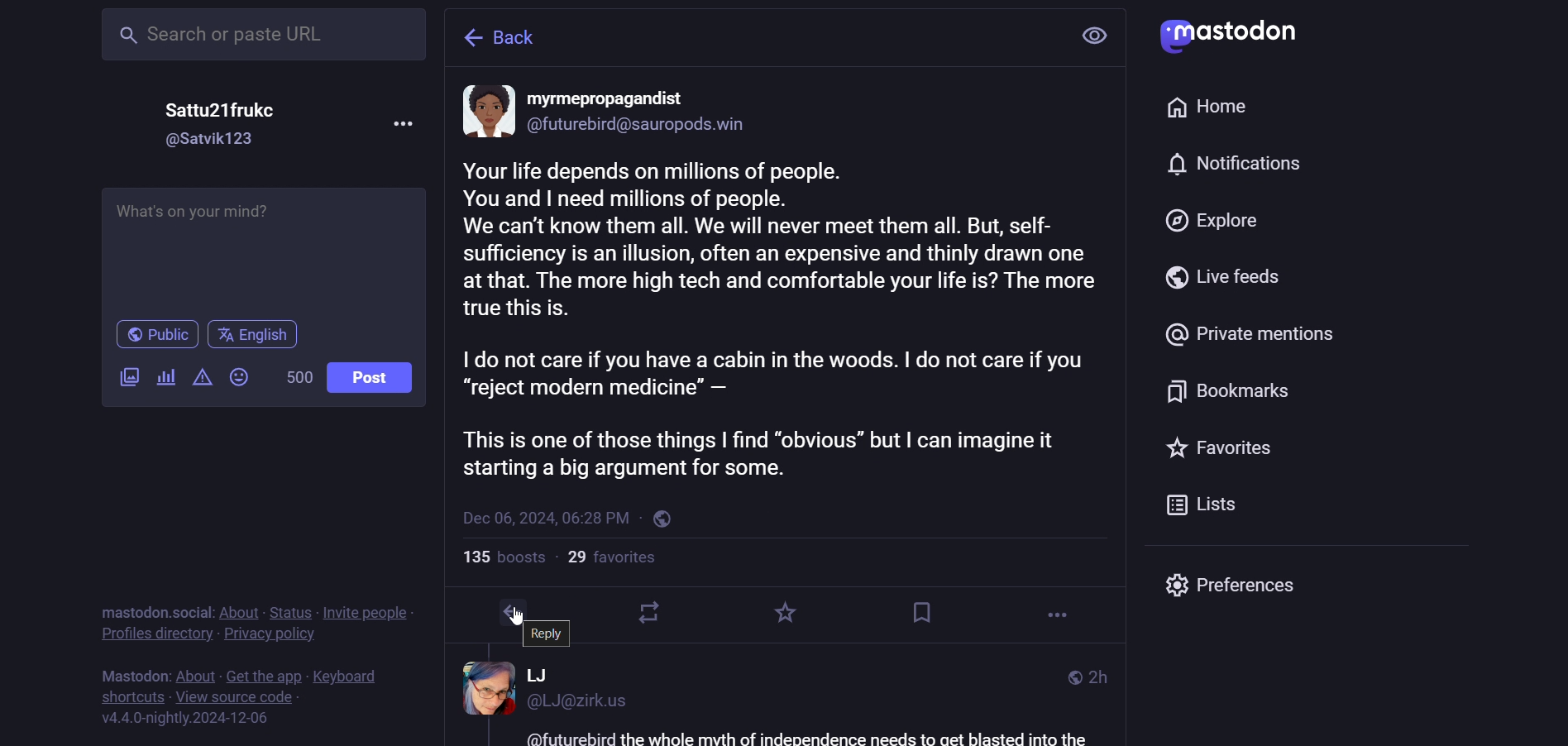  What do you see at coordinates (642, 127) in the screenshot?
I see `id` at bounding box center [642, 127].